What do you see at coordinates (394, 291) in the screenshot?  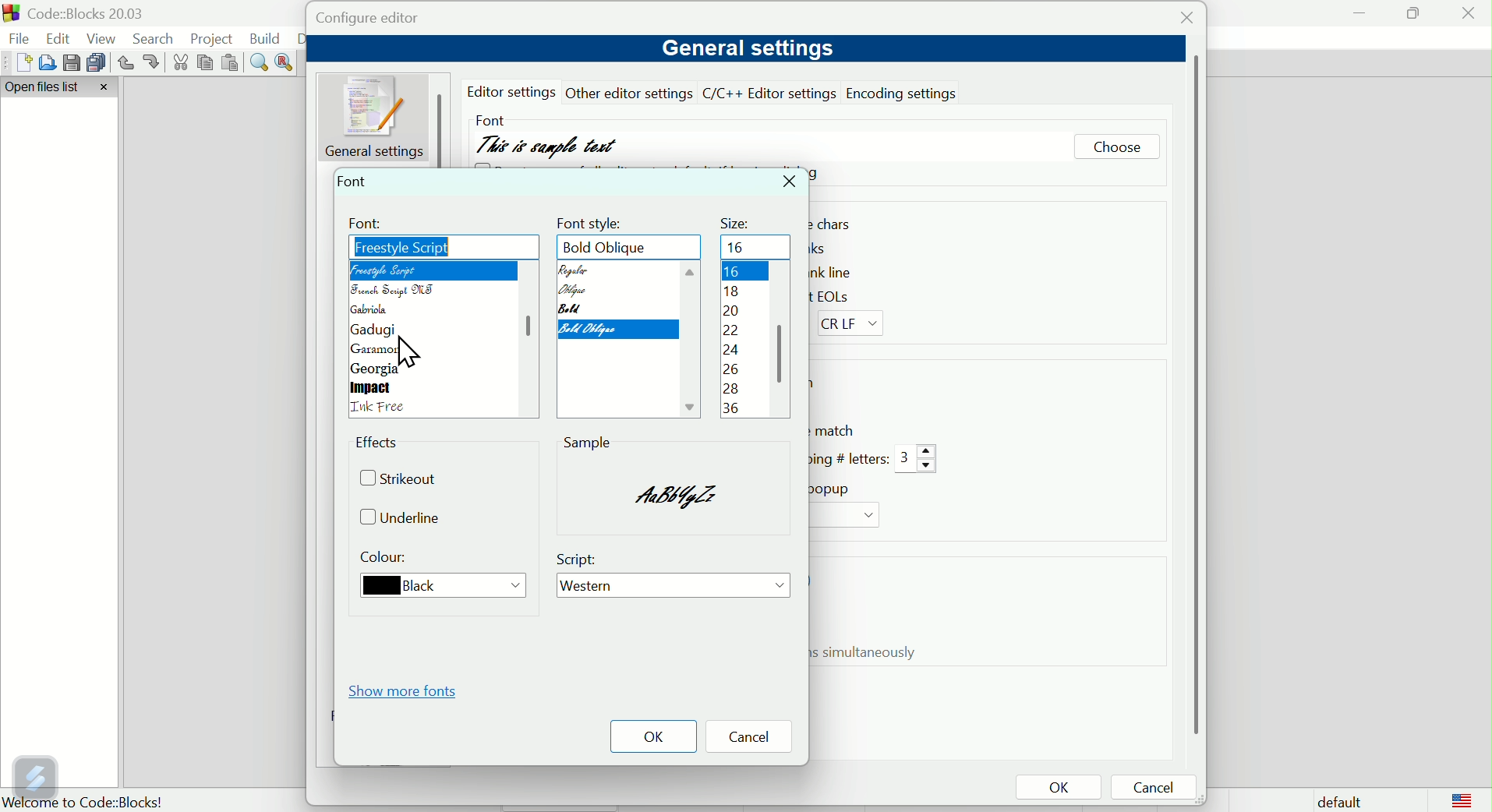 I see `French script` at bounding box center [394, 291].